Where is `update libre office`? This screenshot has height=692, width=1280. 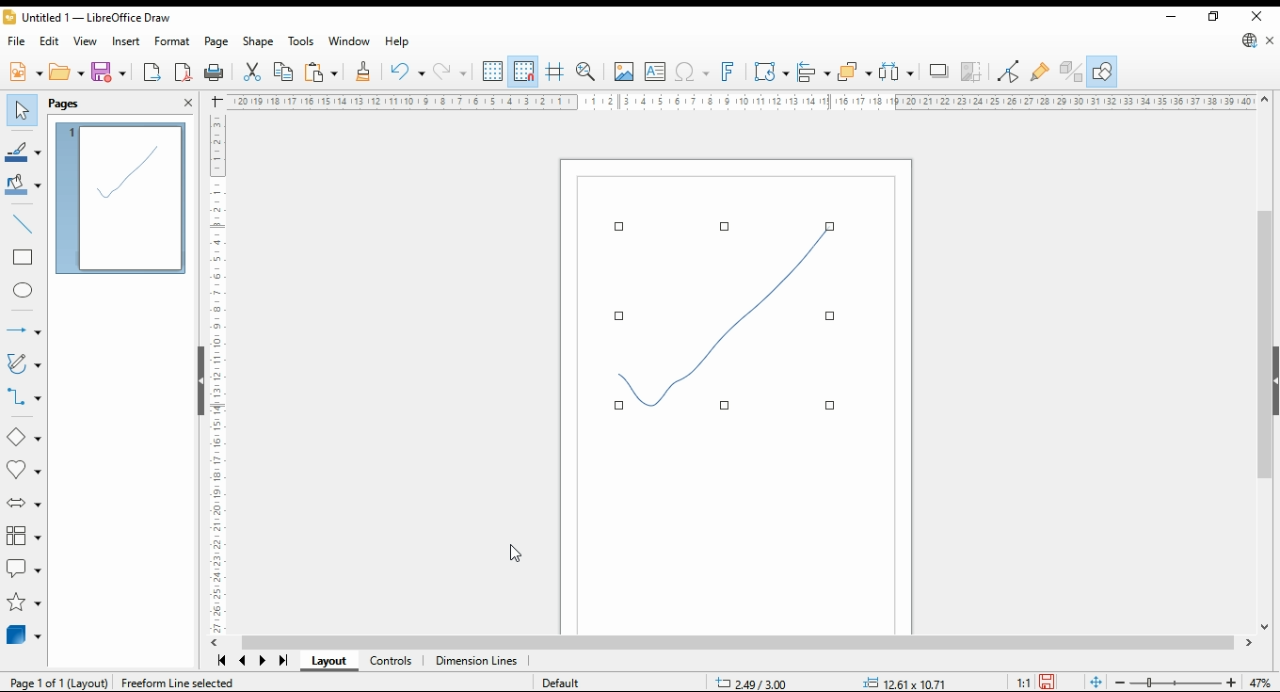
update libre office is located at coordinates (1248, 40).